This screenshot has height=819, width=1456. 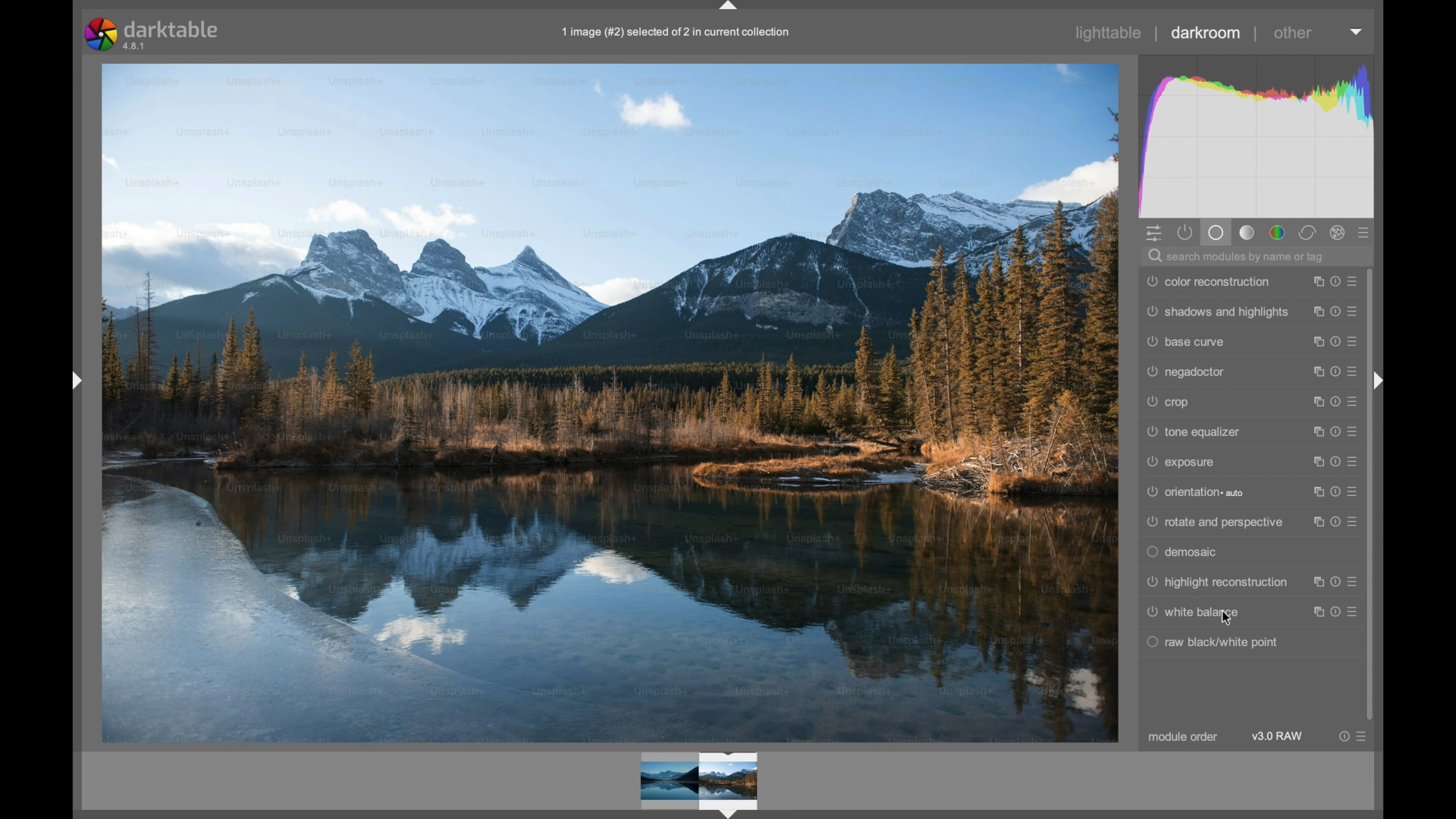 I want to click on presets, so click(x=1356, y=581).